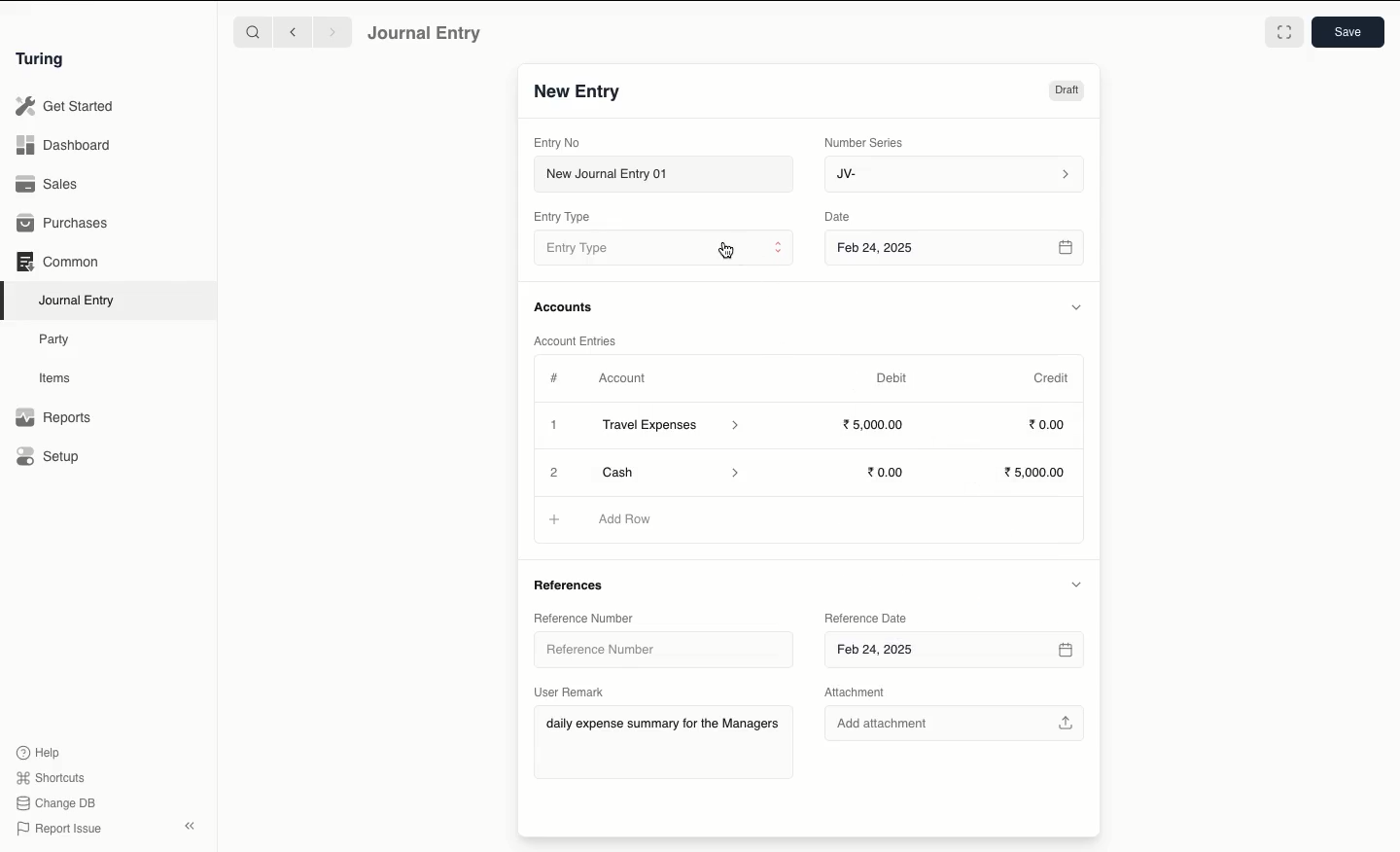 The image size is (1400, 852). I want to click on Purchases, so click(63, 225).